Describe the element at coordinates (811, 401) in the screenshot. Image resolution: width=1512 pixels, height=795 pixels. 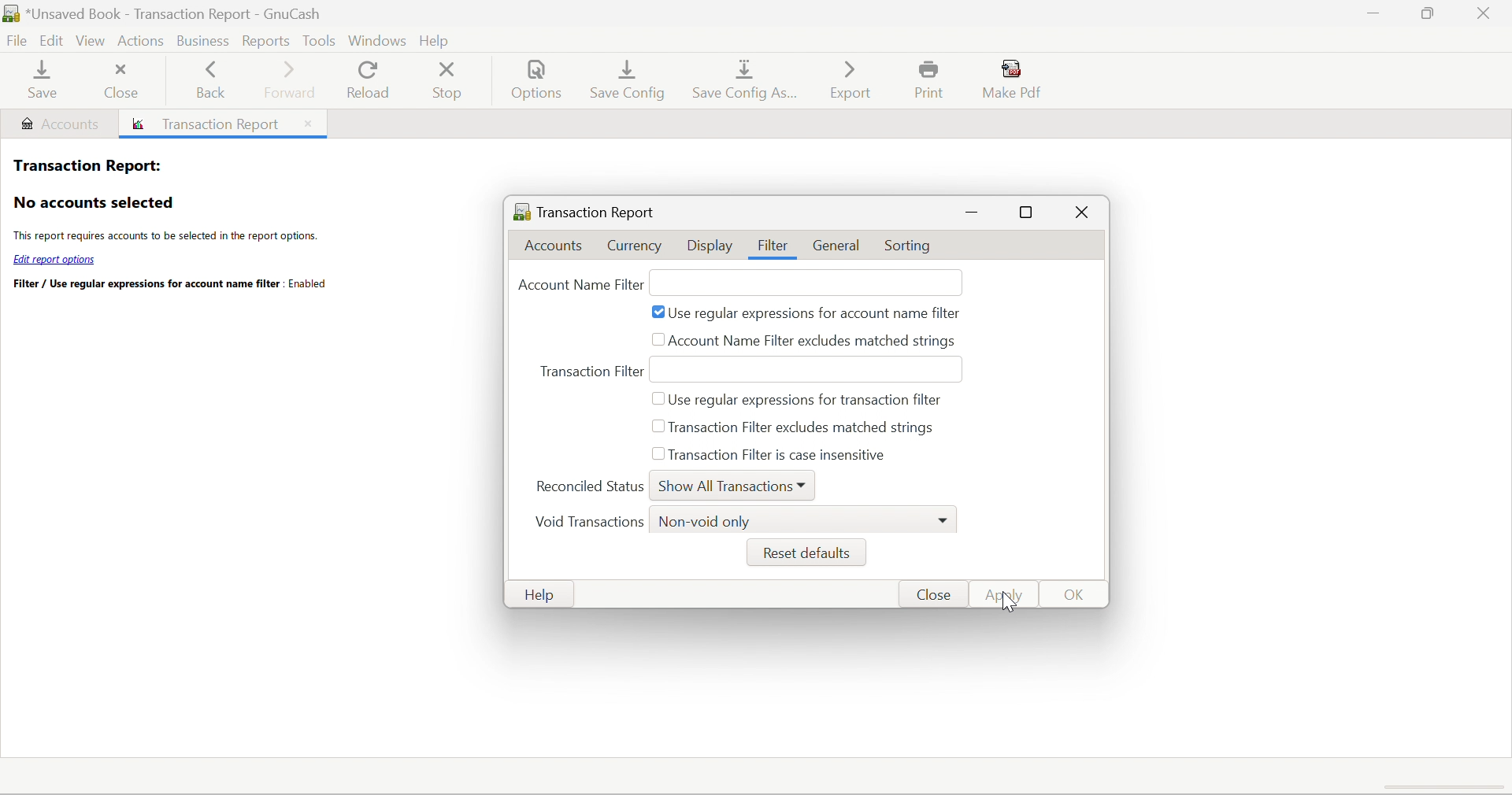
I see `use regular expressions for transaction filter` at that location.